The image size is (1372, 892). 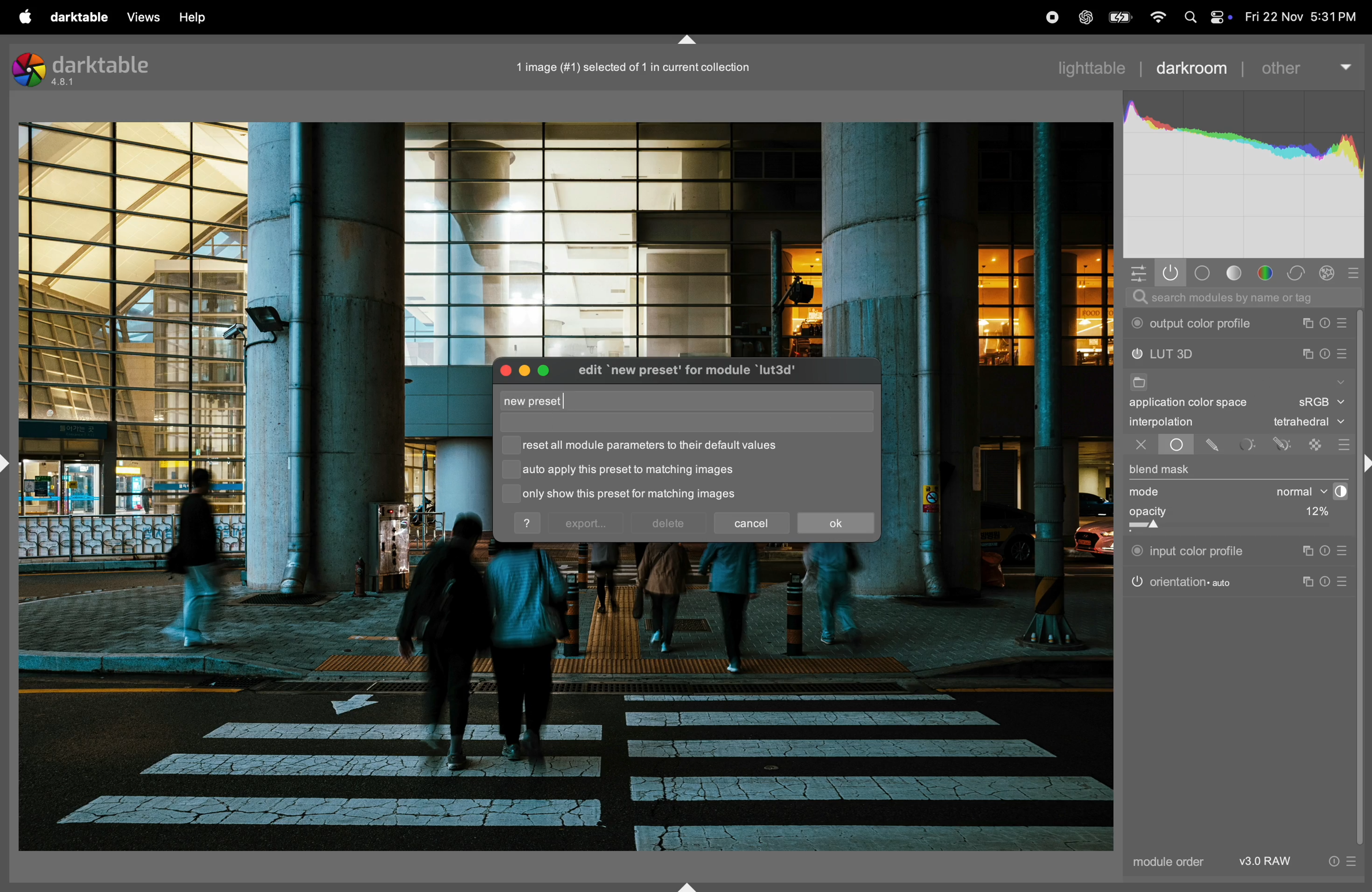 I want to click on image, so click(x=627, y=67).